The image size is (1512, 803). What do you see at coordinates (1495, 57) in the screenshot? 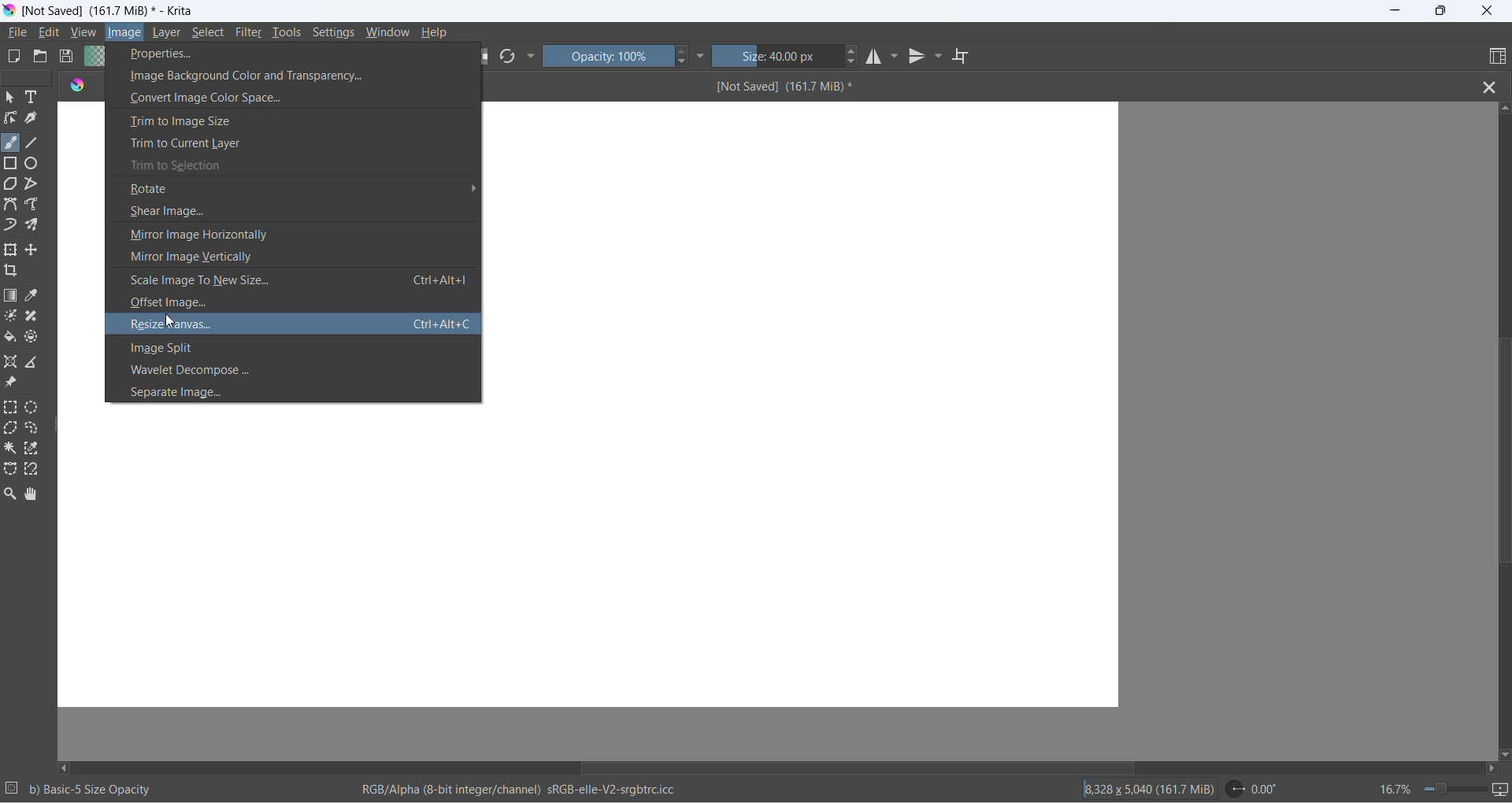
I see `choose workspace` at bounding box center [1495, 57].